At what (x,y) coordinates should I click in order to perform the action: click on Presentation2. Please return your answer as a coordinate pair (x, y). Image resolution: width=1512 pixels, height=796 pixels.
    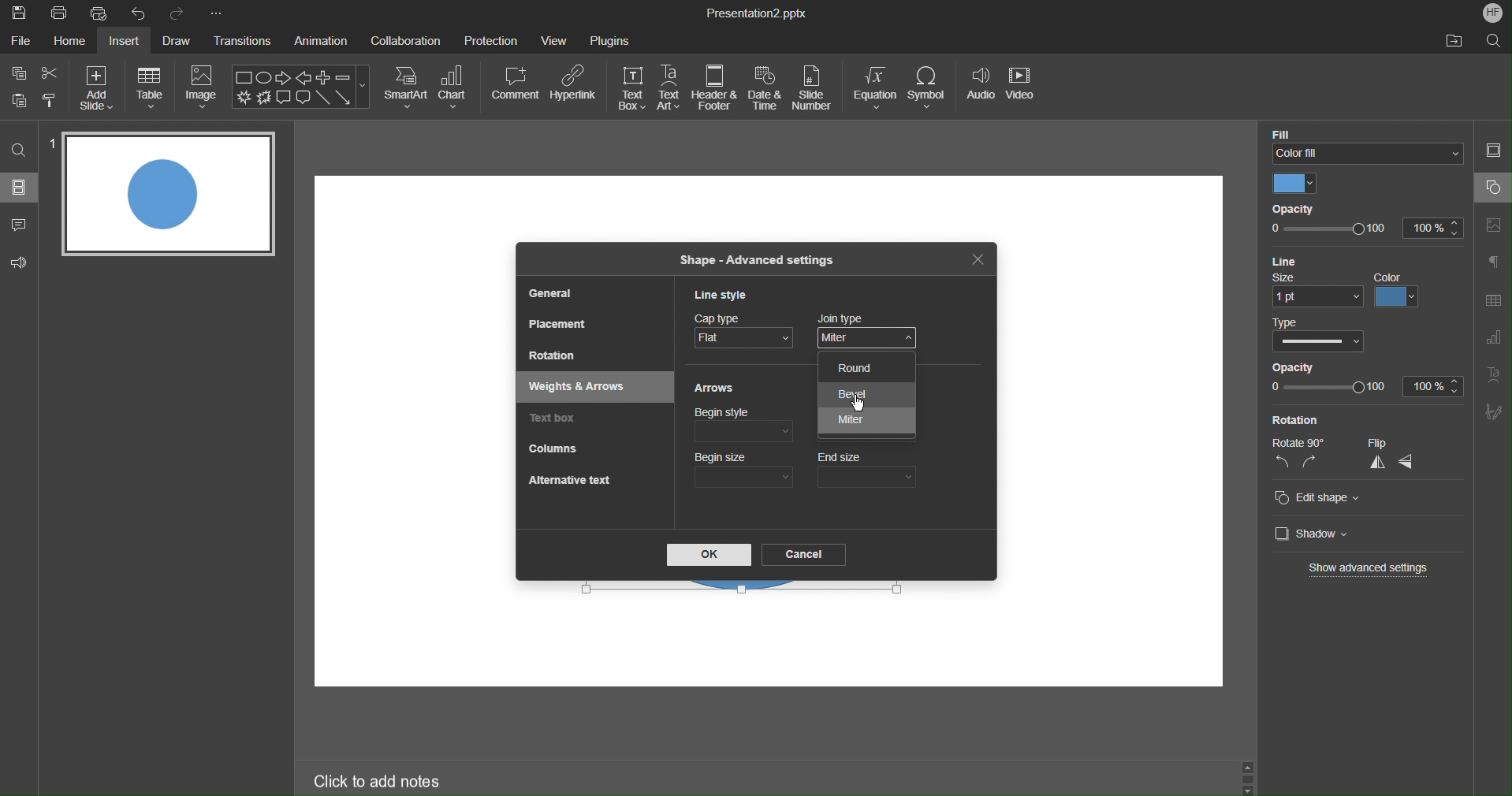
    Looking at the image, I should click on (755, 15).